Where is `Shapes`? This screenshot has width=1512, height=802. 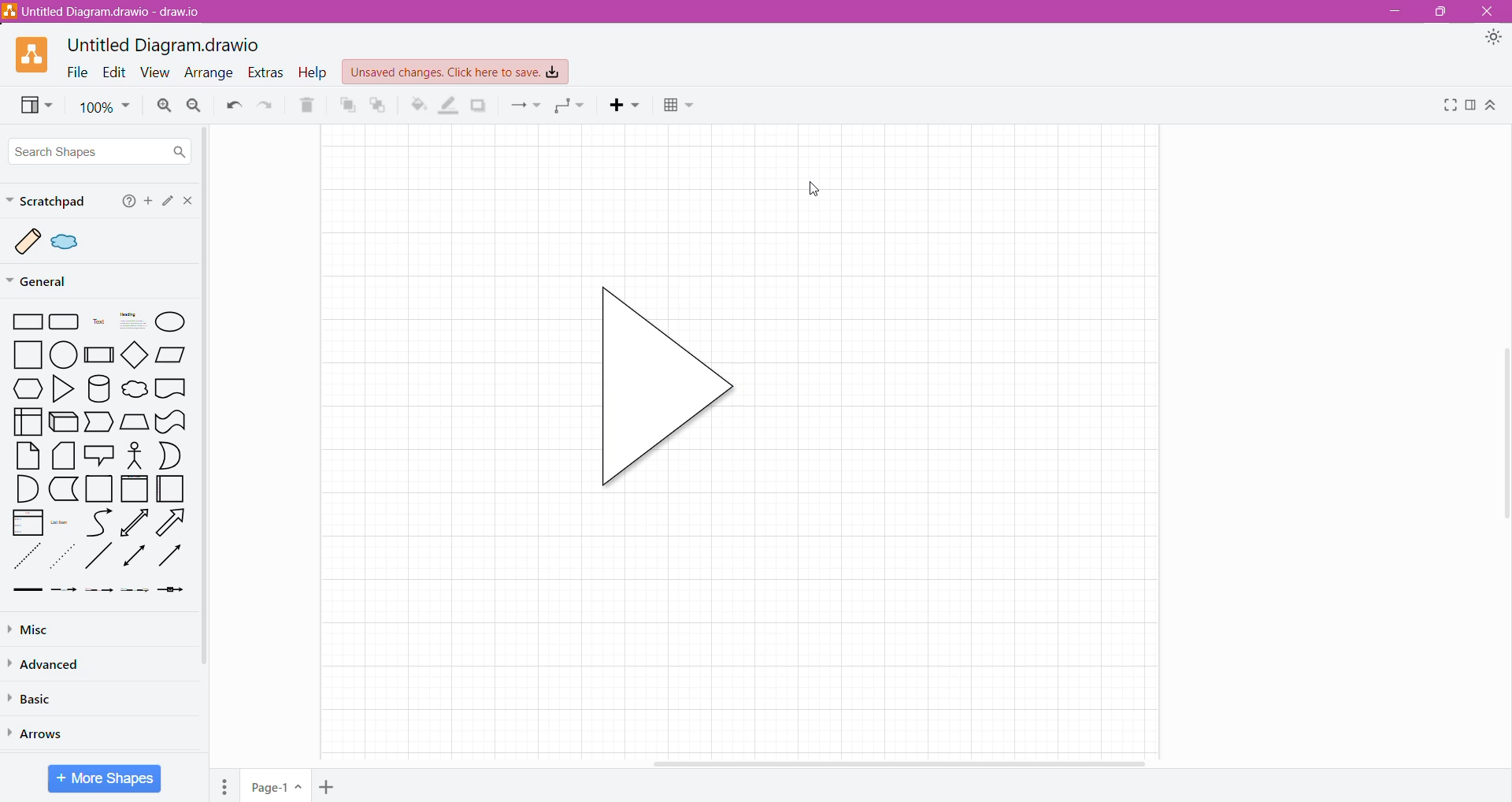
Shapes is located at coordinates (102, 455).